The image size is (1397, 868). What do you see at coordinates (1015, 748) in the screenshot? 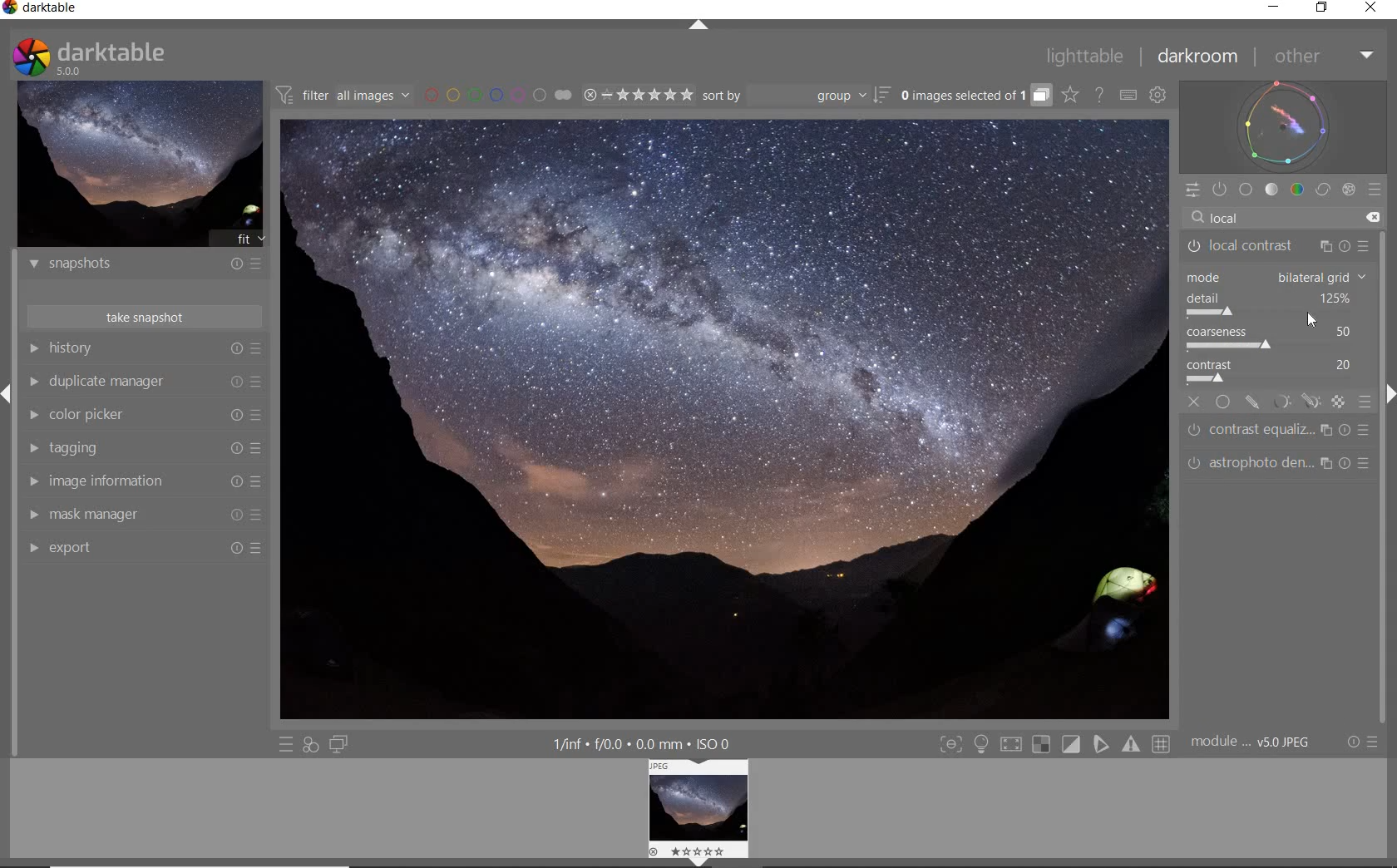
I see `toggle high quality processing` at bounding box center [1015, 748].